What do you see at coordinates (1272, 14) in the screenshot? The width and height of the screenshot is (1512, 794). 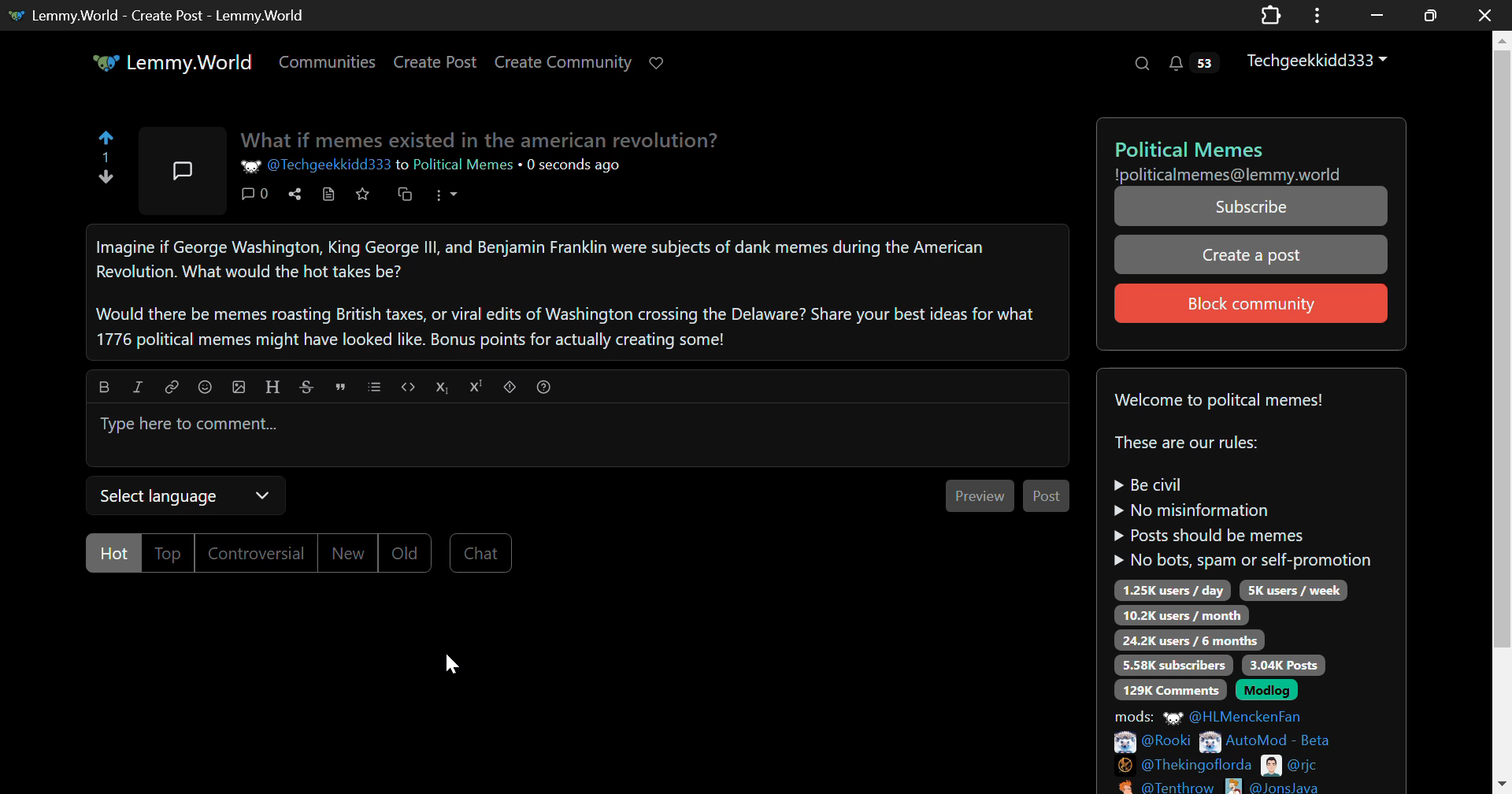 I see `Extensions` at bounding box center [1272, 14].